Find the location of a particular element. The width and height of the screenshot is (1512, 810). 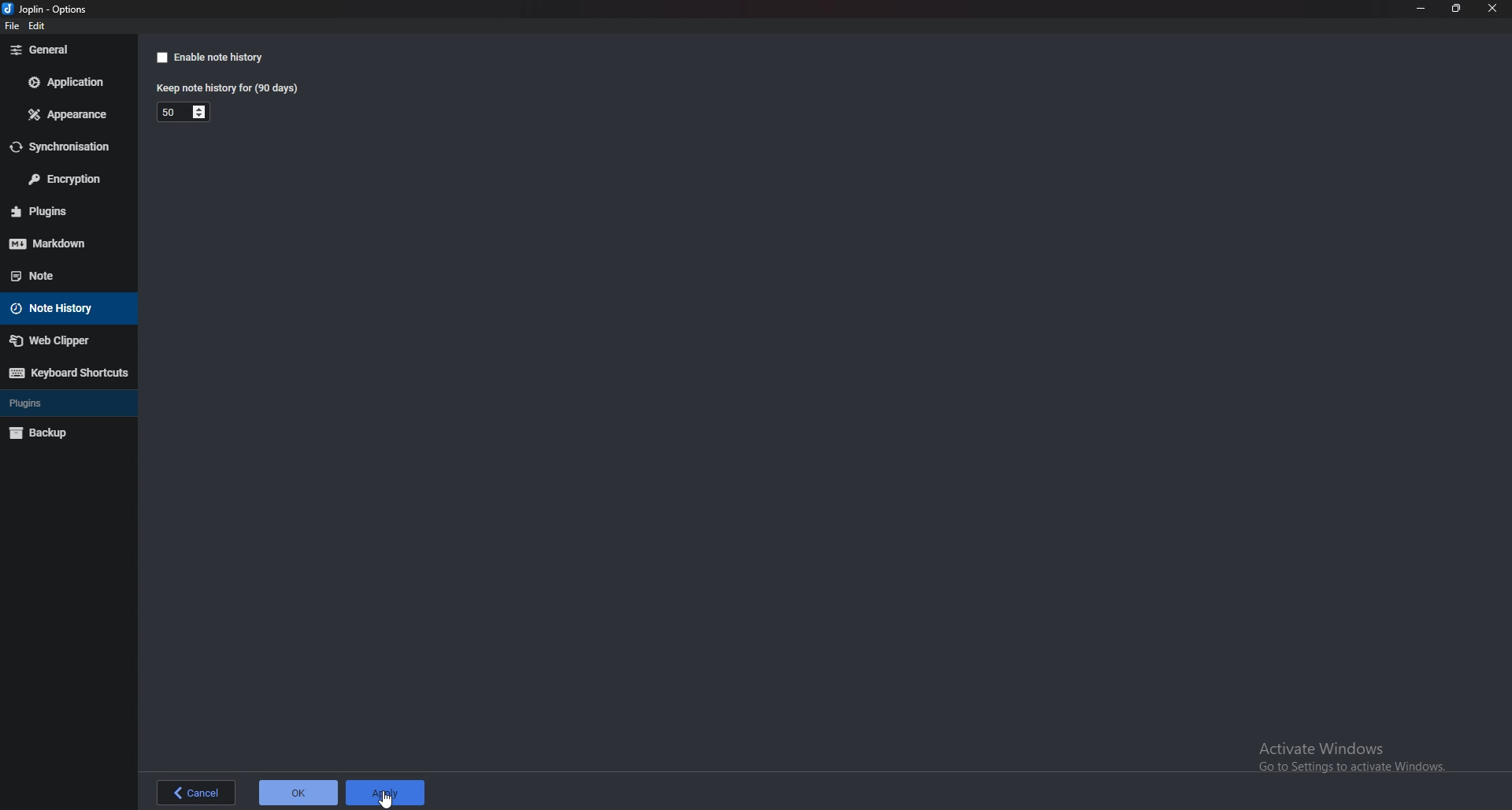

edit is located at coordinates (39, 26).